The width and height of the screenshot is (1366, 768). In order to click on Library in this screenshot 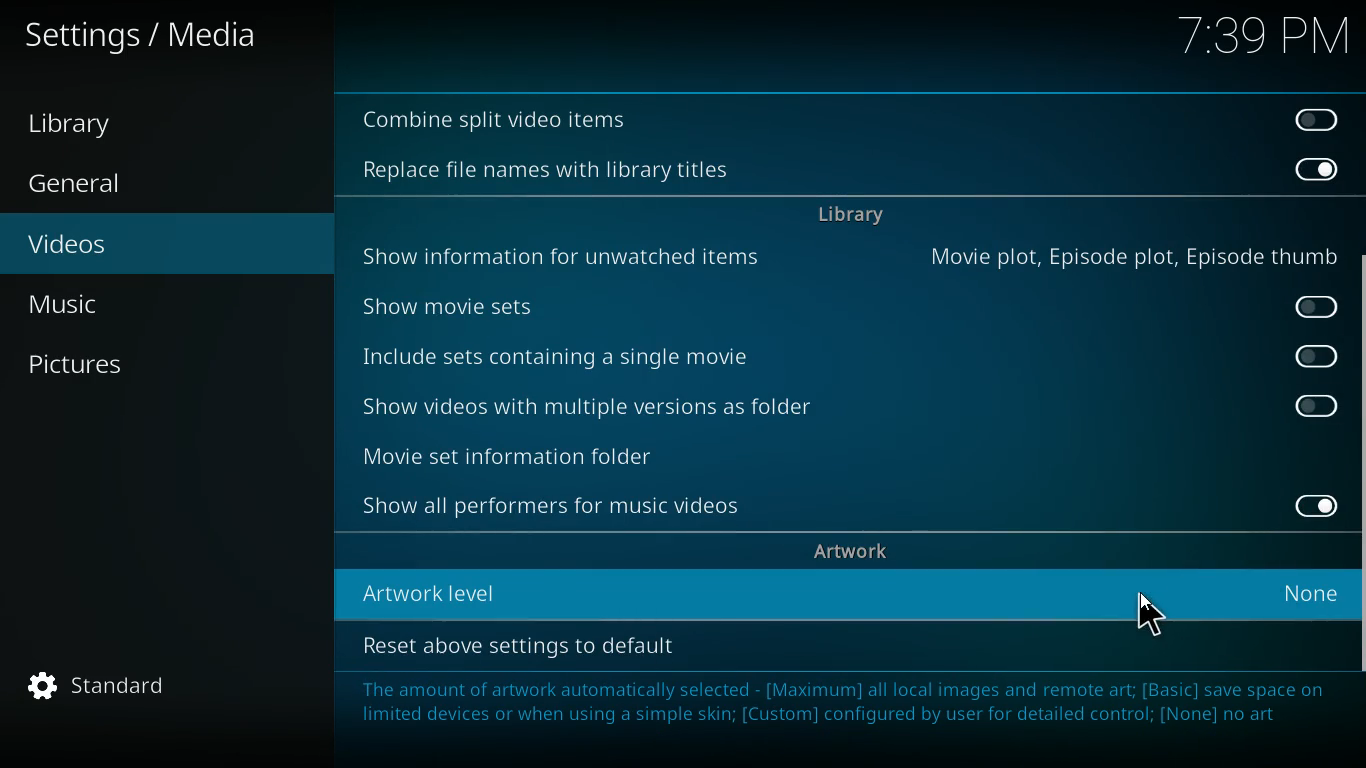, I will do `click(89, 125)`.